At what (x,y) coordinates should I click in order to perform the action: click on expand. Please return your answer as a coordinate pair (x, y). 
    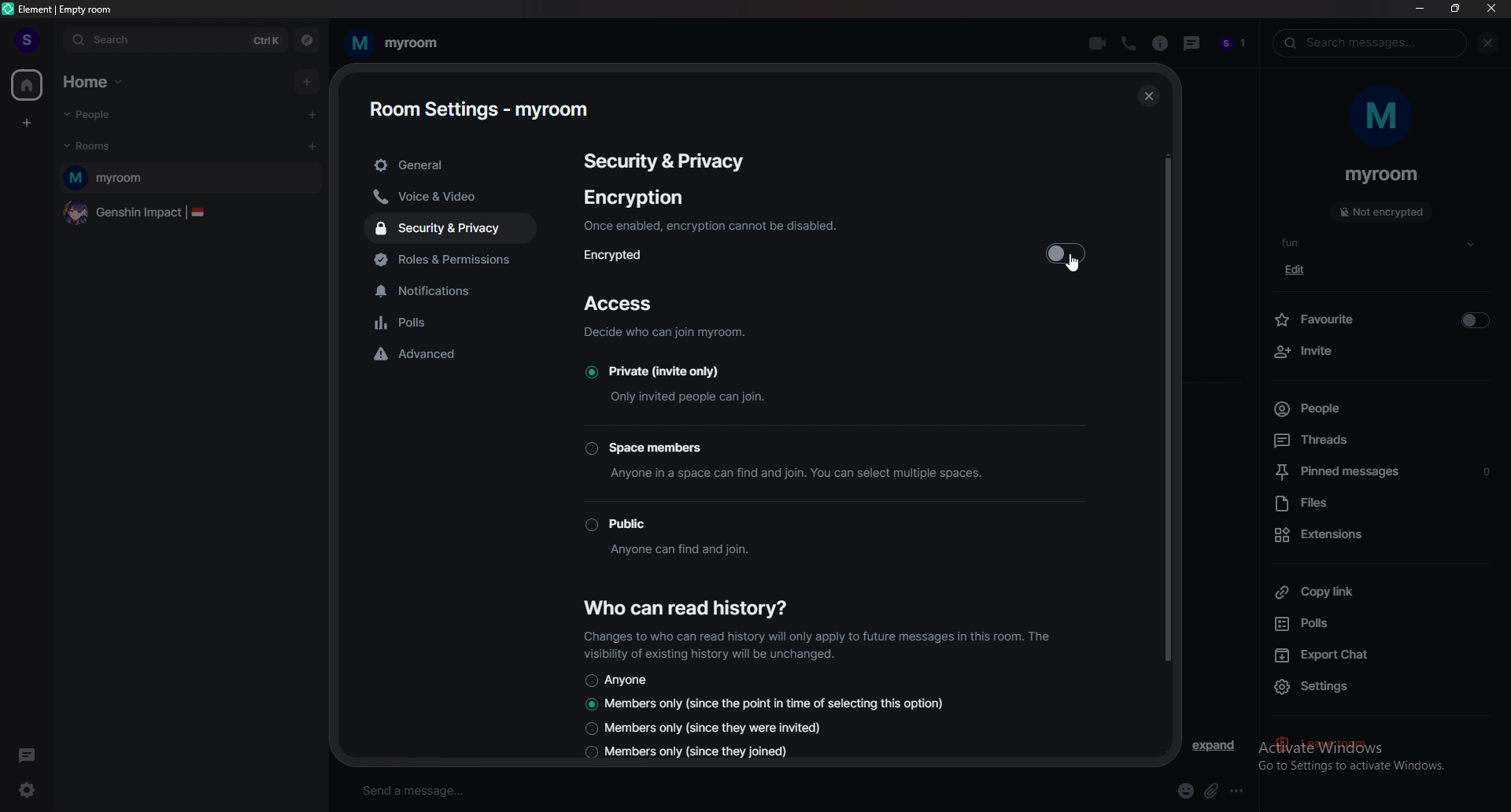
    Looking at the image, I should click on (1215, 745).